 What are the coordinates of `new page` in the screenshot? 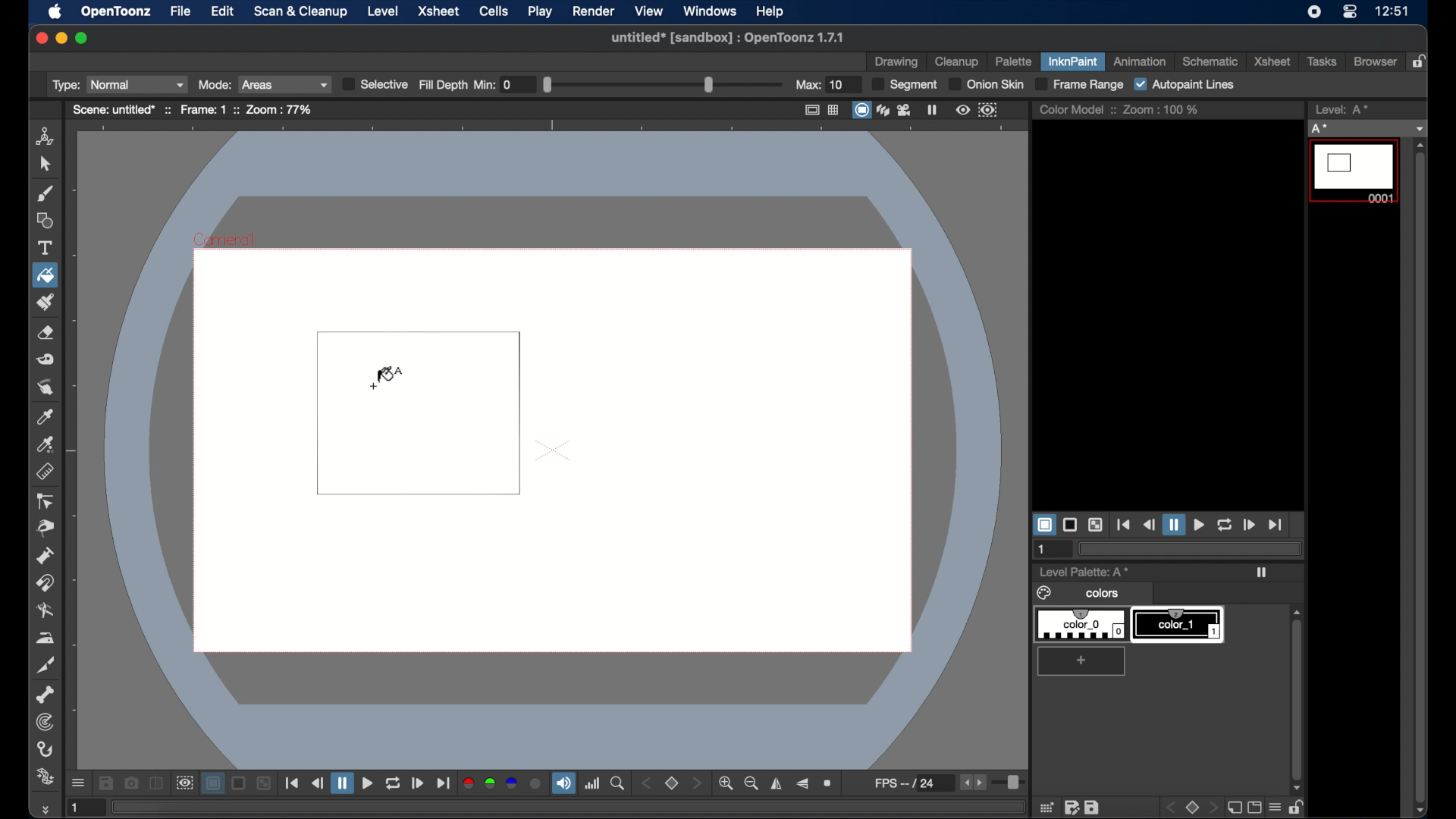 It's located at (1232, 806).